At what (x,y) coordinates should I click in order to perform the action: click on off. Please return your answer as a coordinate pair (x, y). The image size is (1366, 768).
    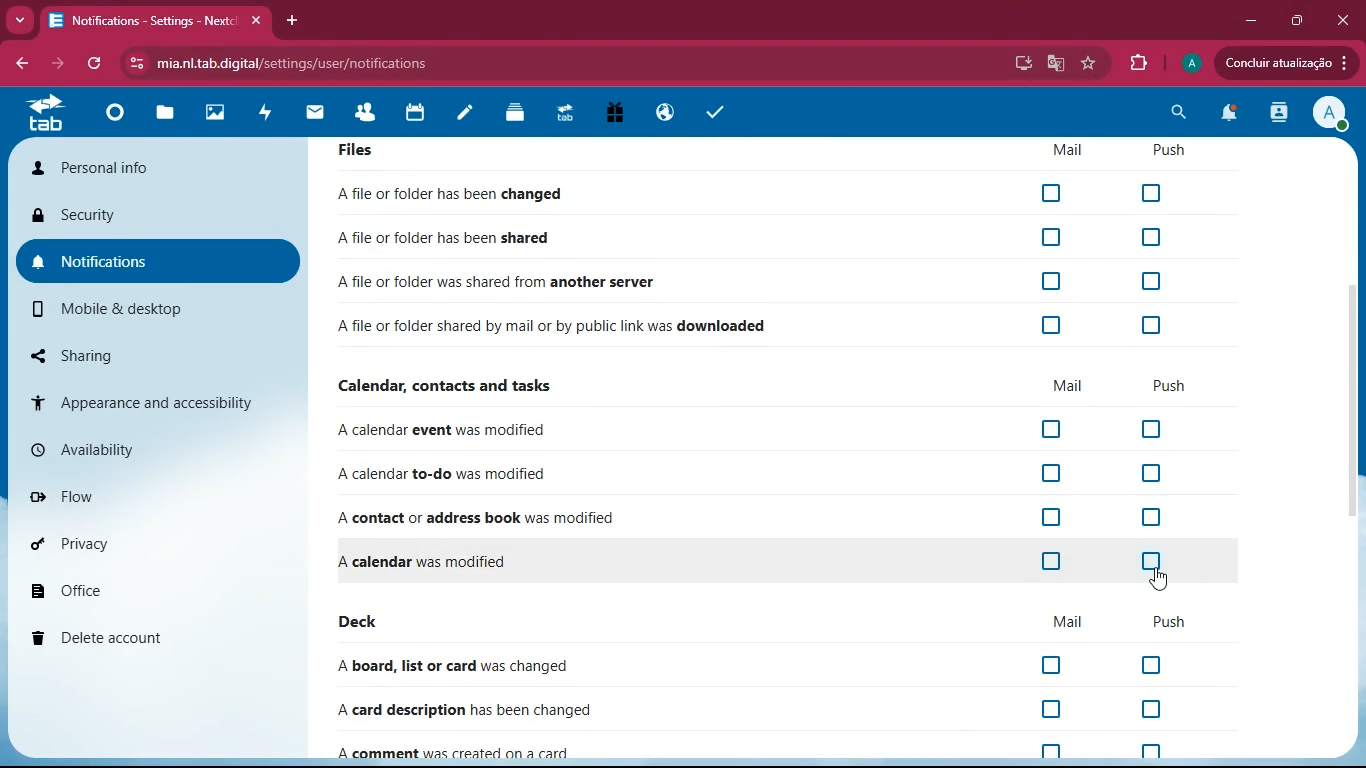
    Looking at the image, I should click on (1052, 563).